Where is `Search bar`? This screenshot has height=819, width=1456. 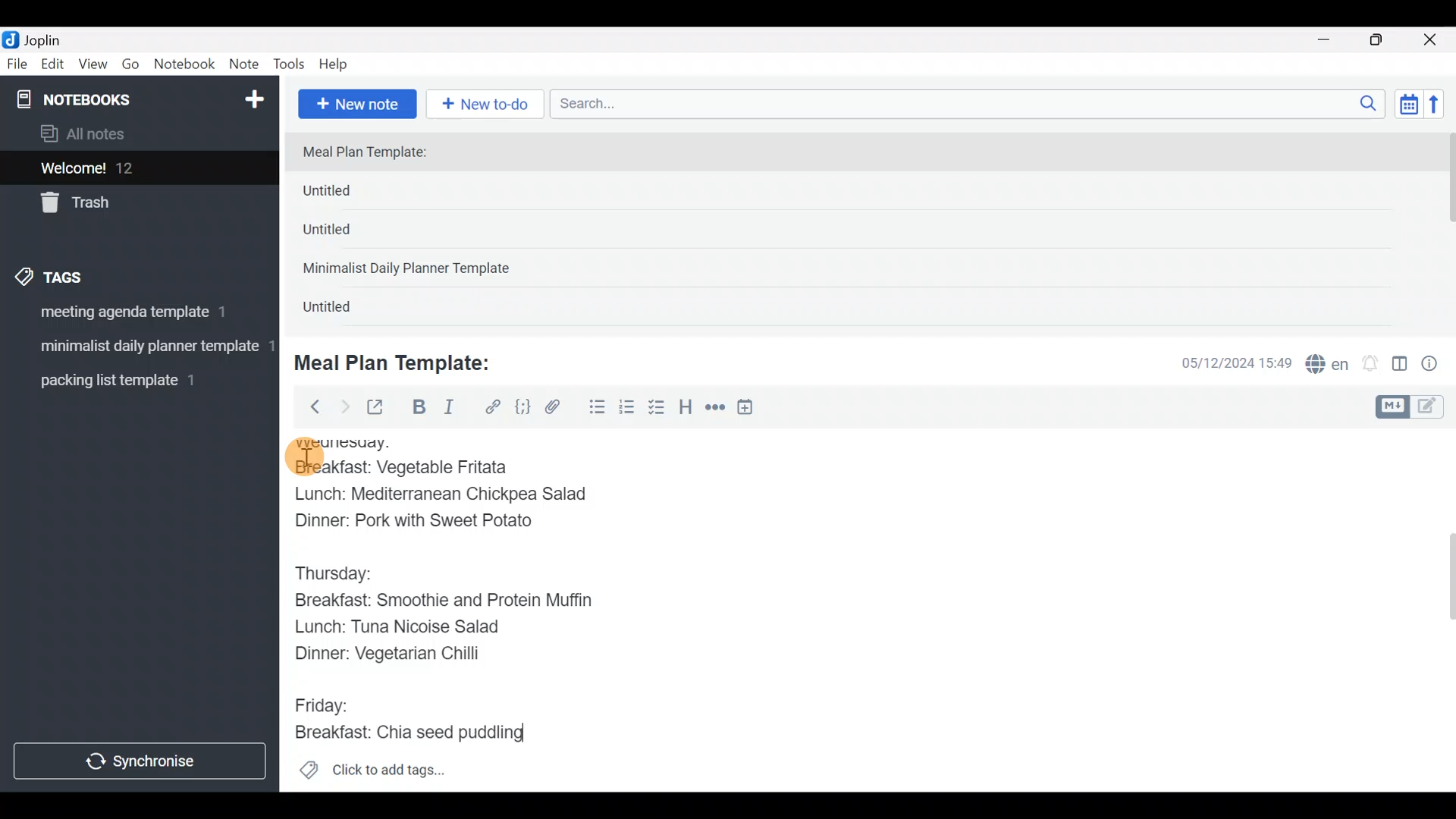 Search bar is located at coordinates (971, 102).